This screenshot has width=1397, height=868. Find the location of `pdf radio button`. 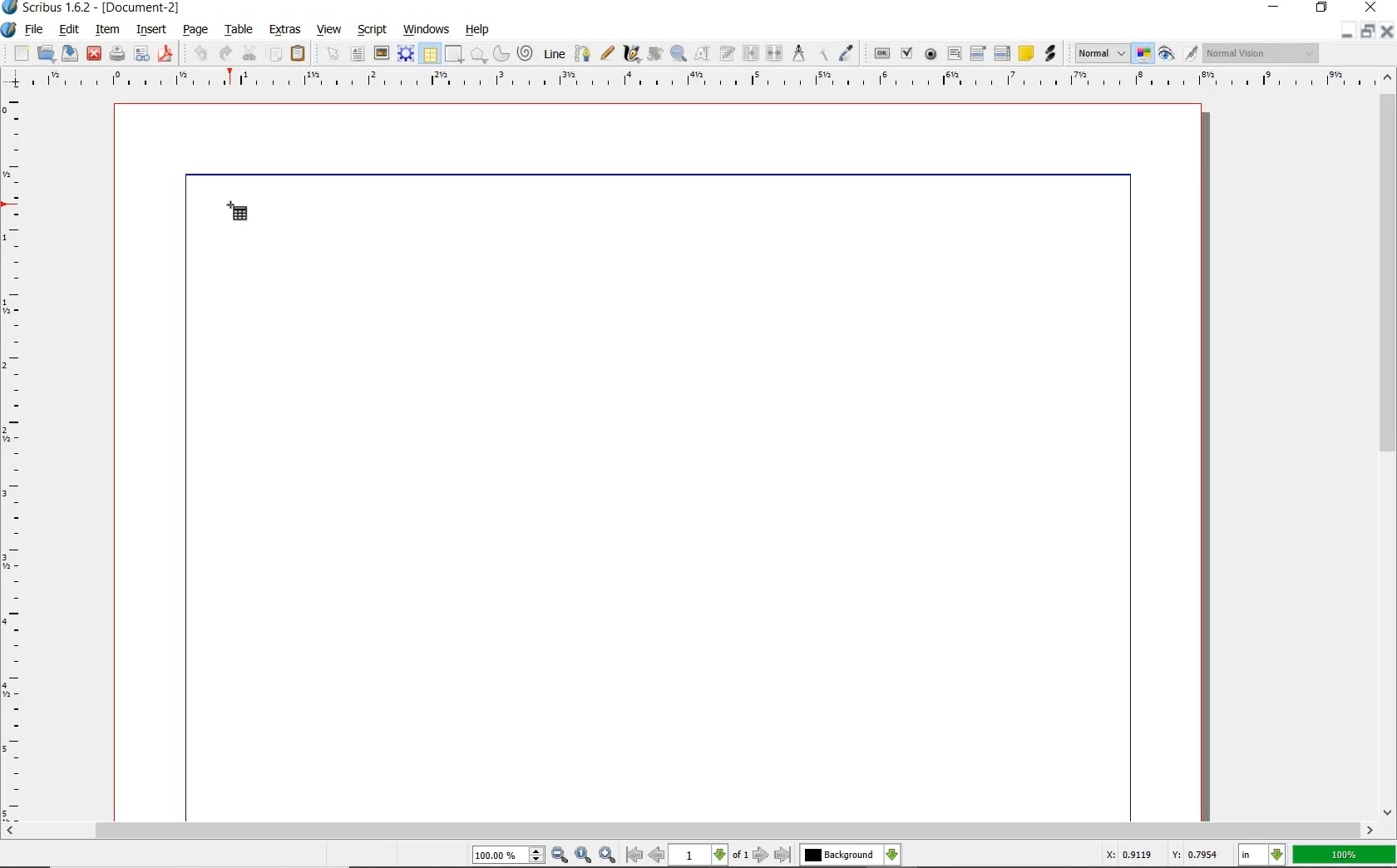

pdf radio button is located at coordinates (931, 55).